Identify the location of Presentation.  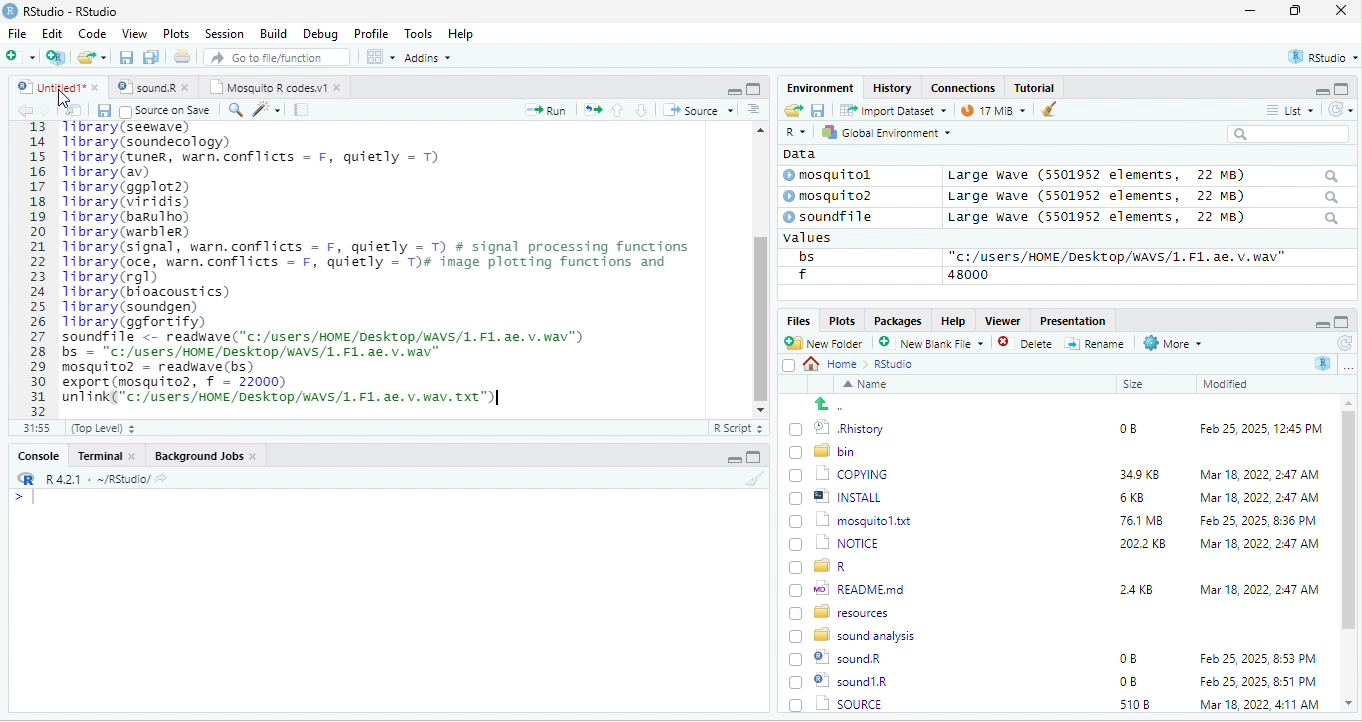
(1071, 320).